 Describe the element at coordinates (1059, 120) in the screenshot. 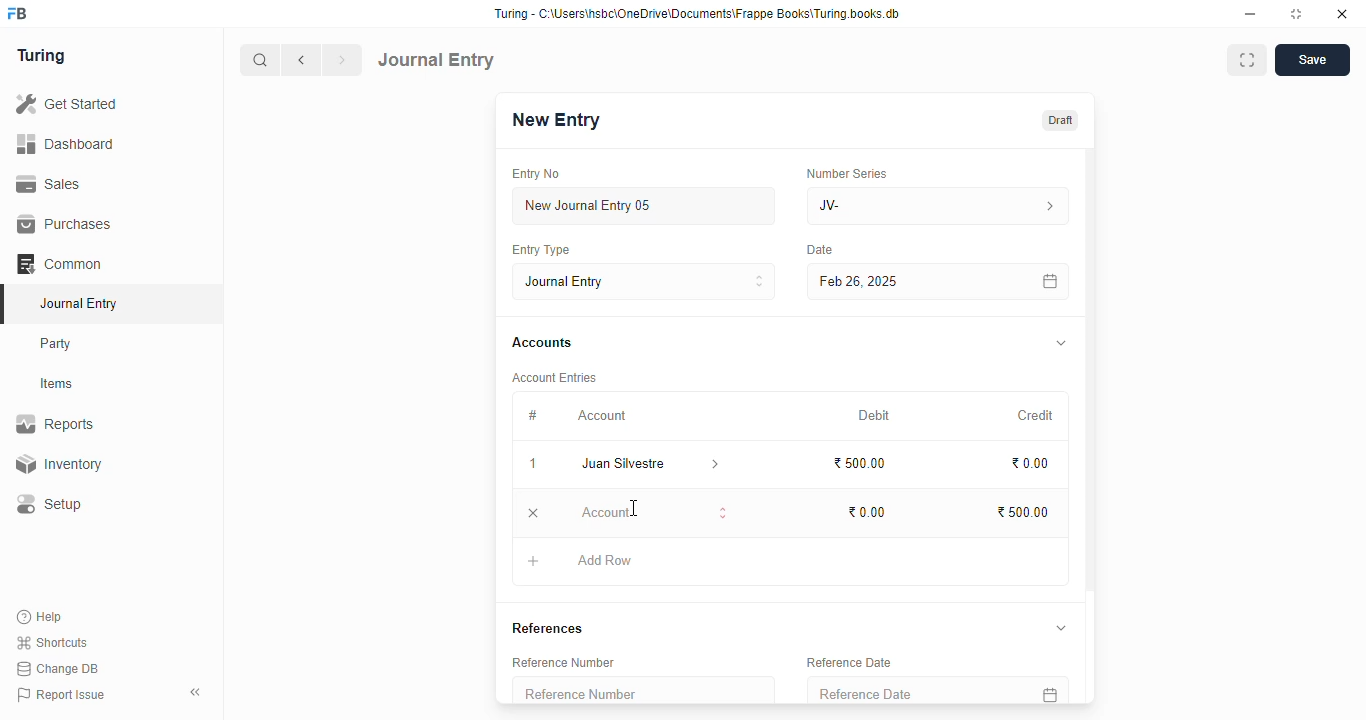

I see `draft` at that location.